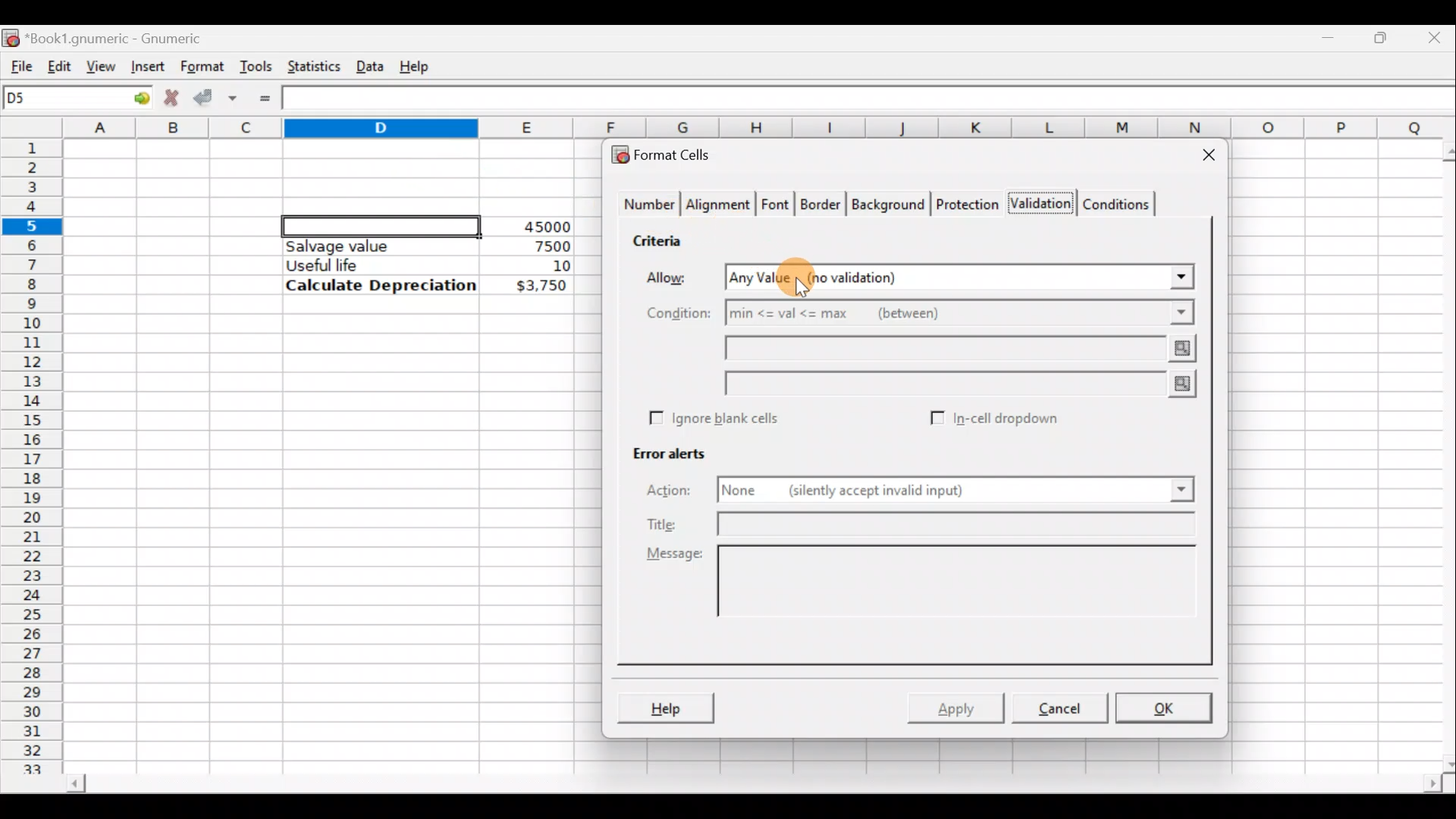 Image resolution: width=1456 pixels, height=819 pixels. I want to click on 45000, so click(541, 227).